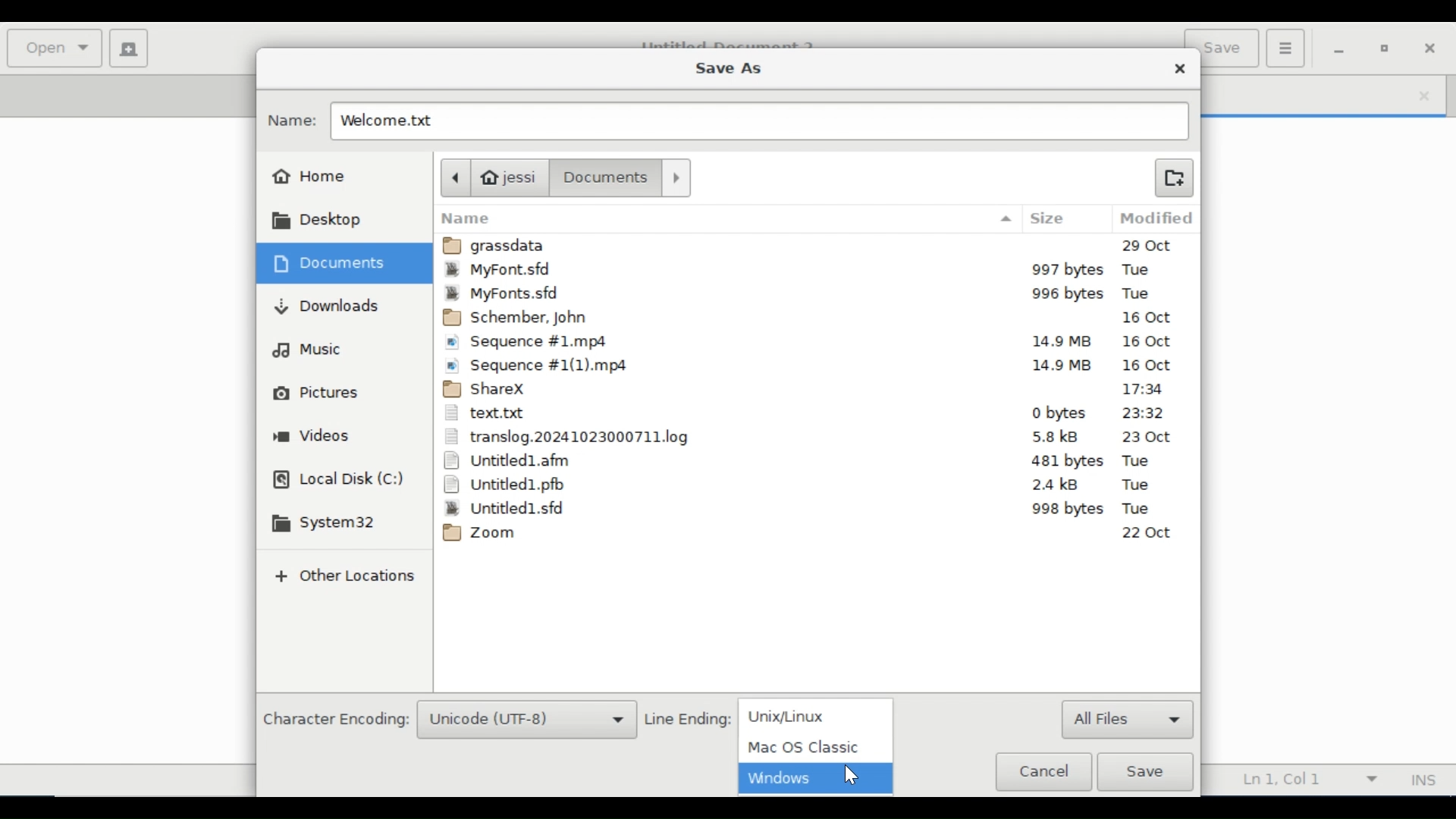 The width and height of the screenshot is (1456, 819). Describe the element at coordinates (606, 177) in the screenshot. I see `Document` at that location.